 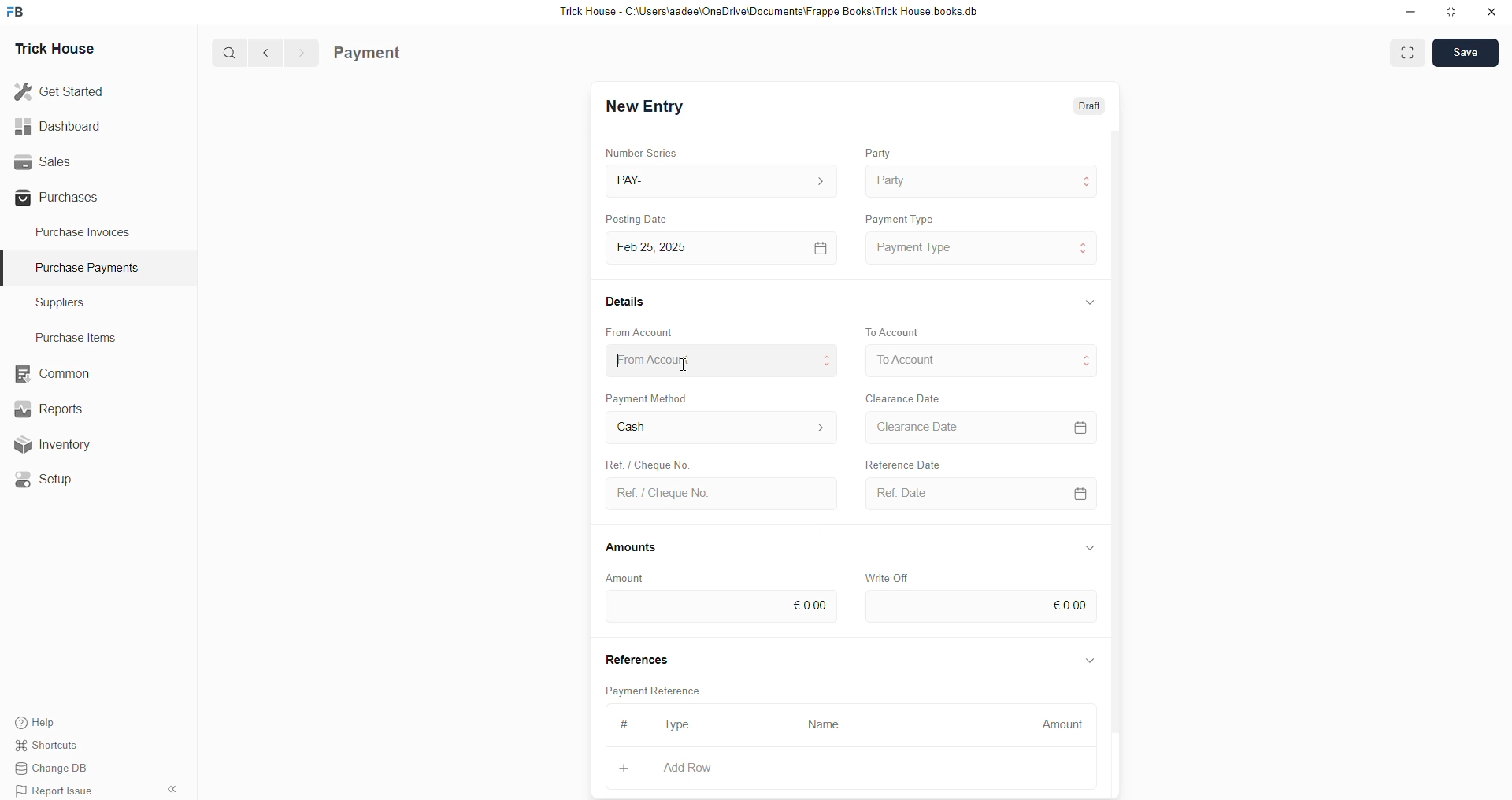 I want to click on Payment Reference, so click(x=661, y=689).